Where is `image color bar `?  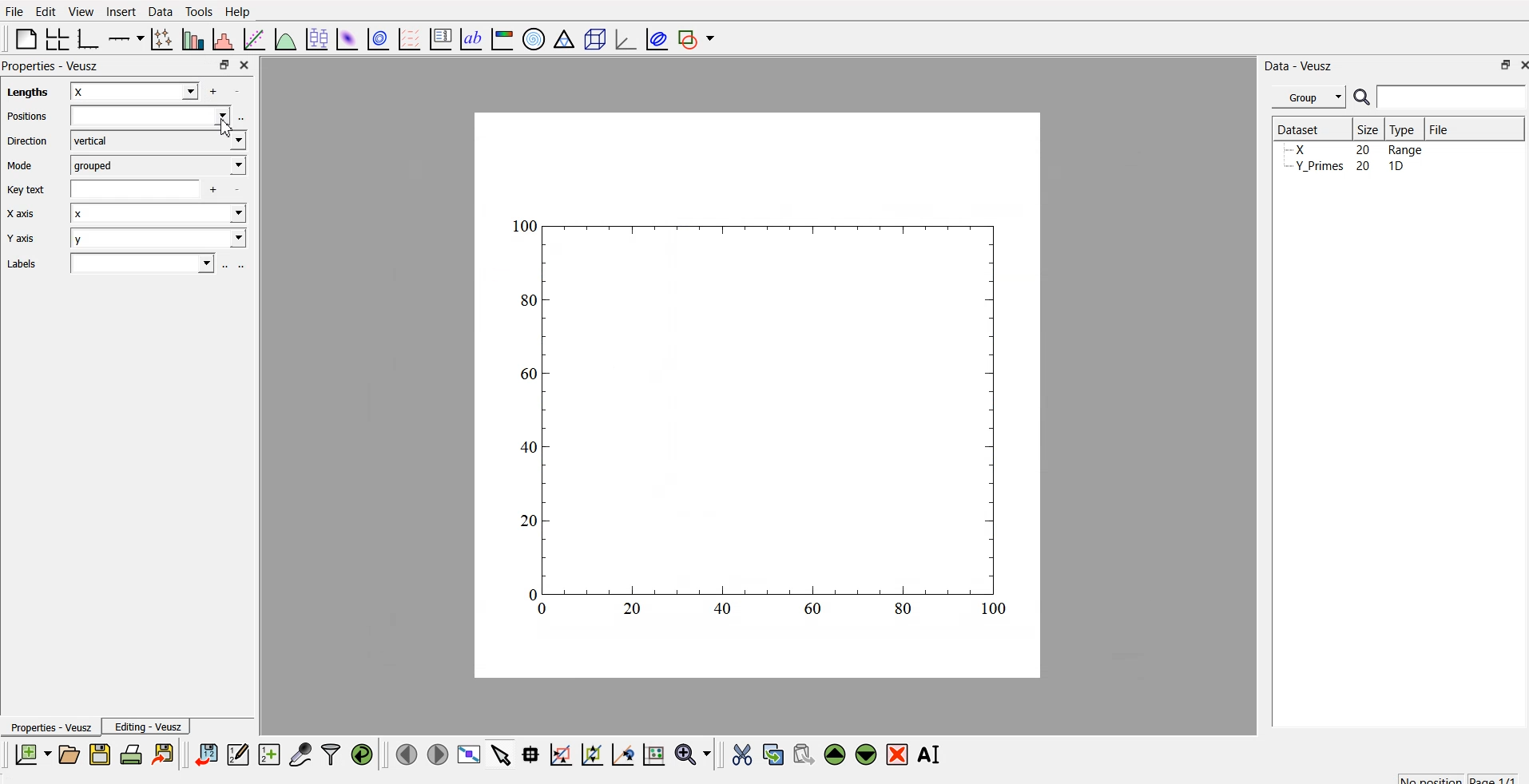
image color bar  is located at coordinates (502, 41).